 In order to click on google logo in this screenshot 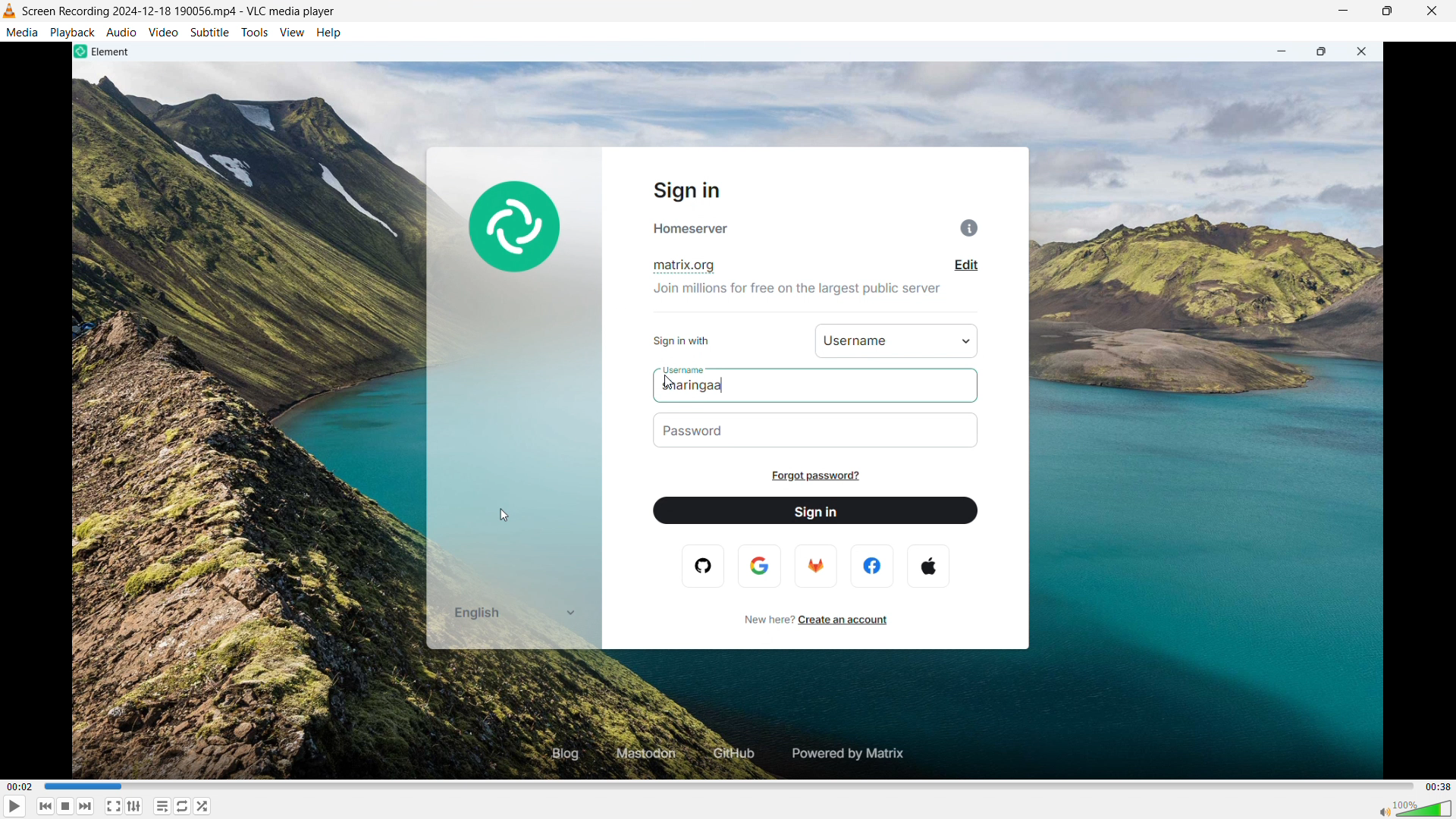, I will do `click(761, 565)`.